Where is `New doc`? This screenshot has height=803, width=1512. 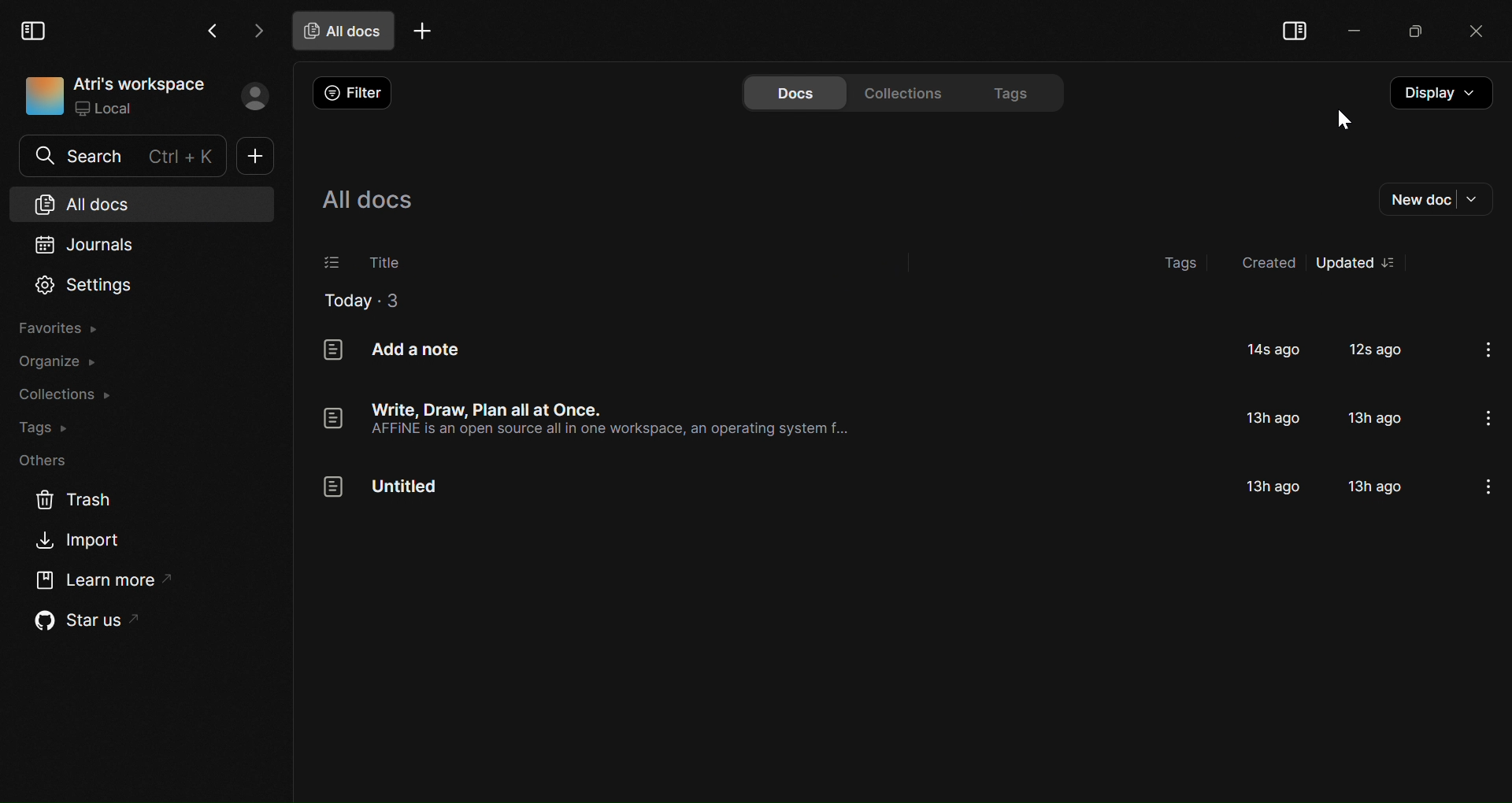
New doc is located at coordinates (1435, 199).